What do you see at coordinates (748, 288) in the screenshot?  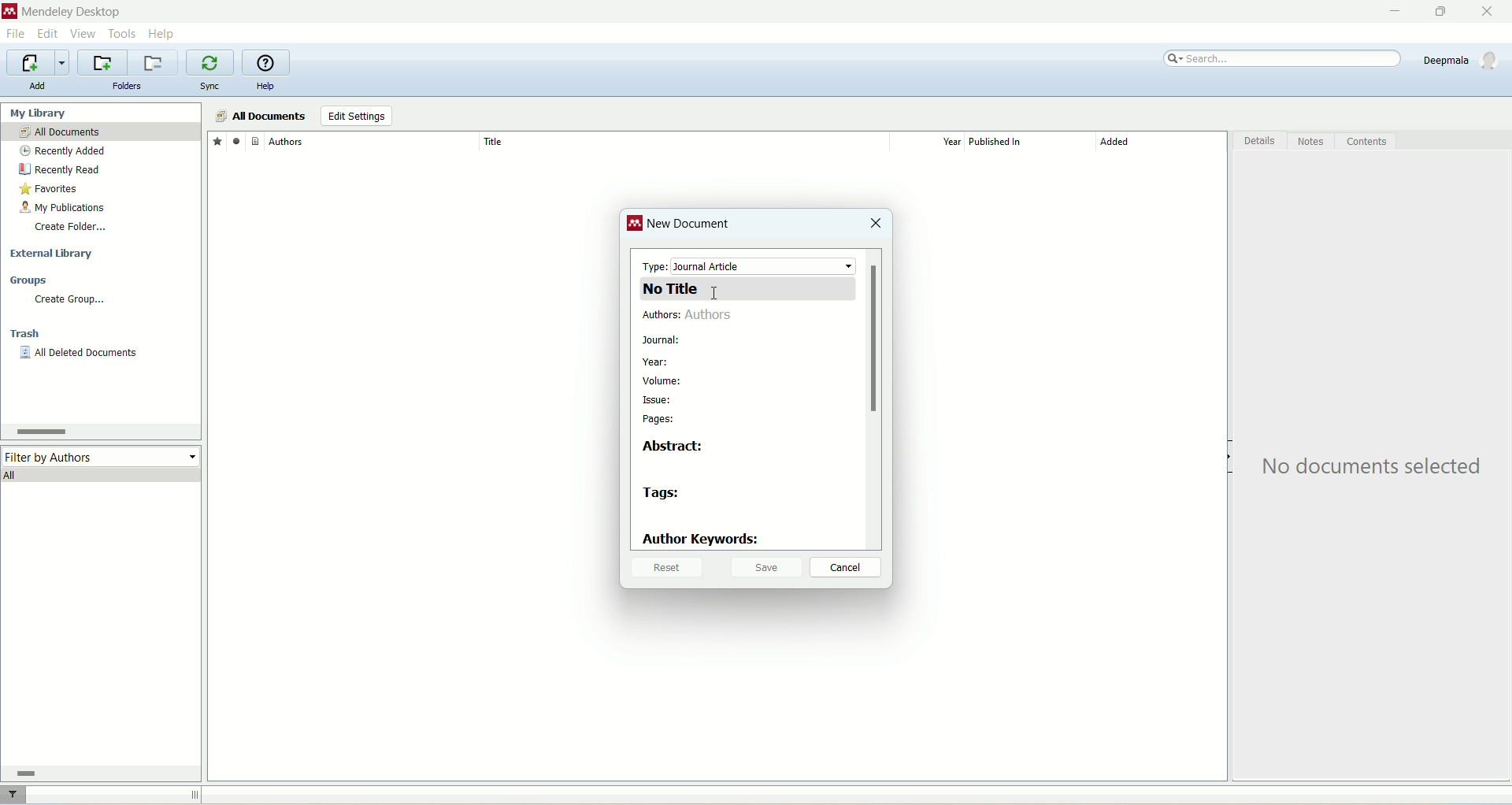 I see `title` at bounding box center [748, 288].